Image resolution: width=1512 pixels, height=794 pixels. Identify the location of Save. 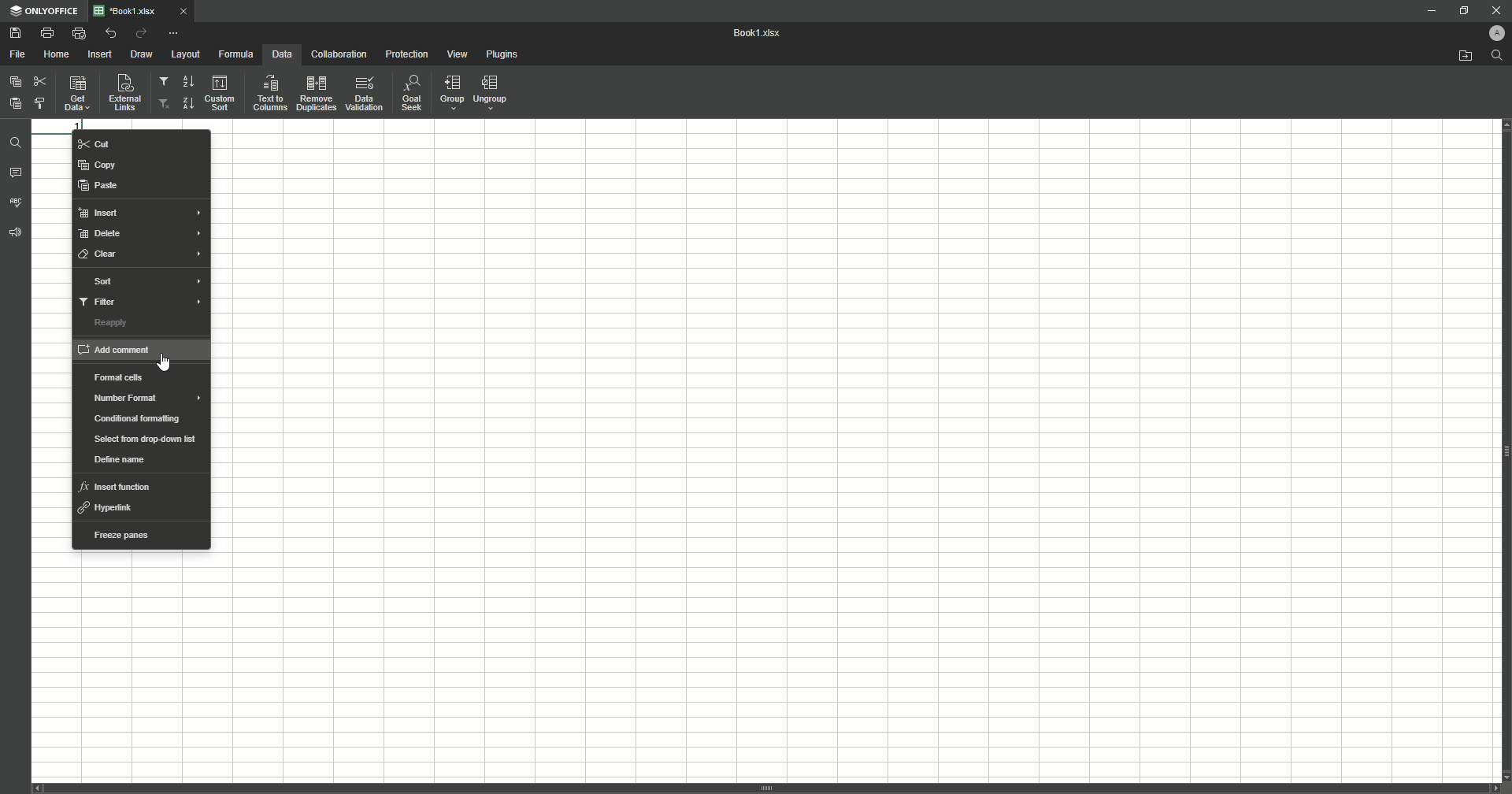
(15, 34).